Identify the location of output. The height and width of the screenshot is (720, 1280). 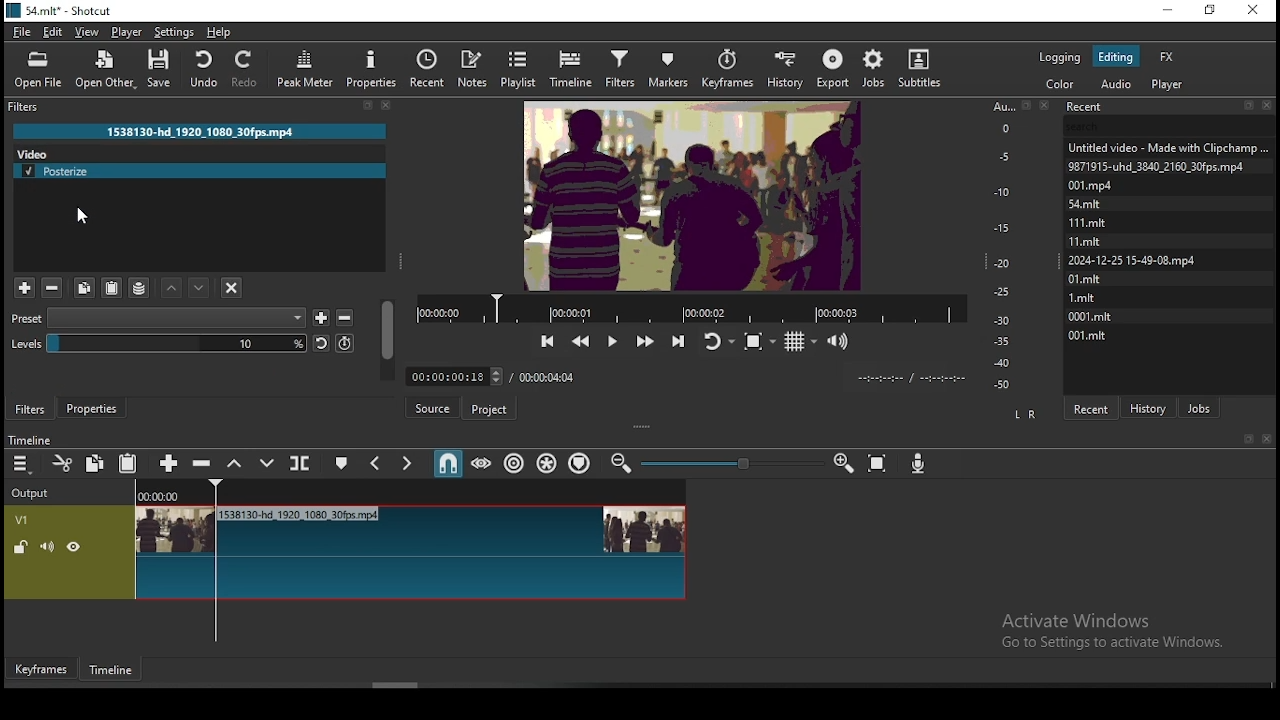
(37, 490).